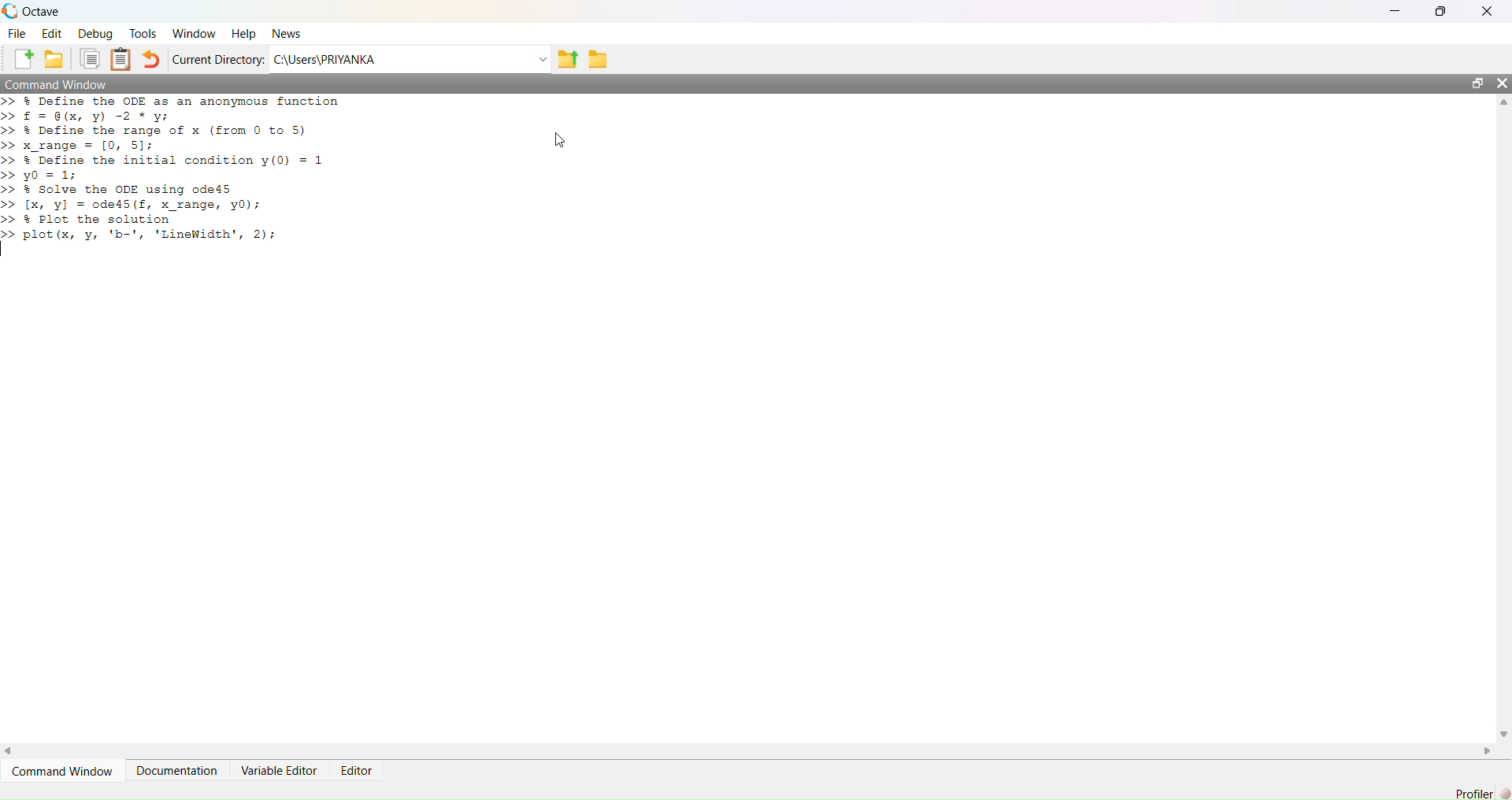  Describe the element at coordinates (278, 771) in the screenshot. I see `Variable Editor` at that location.